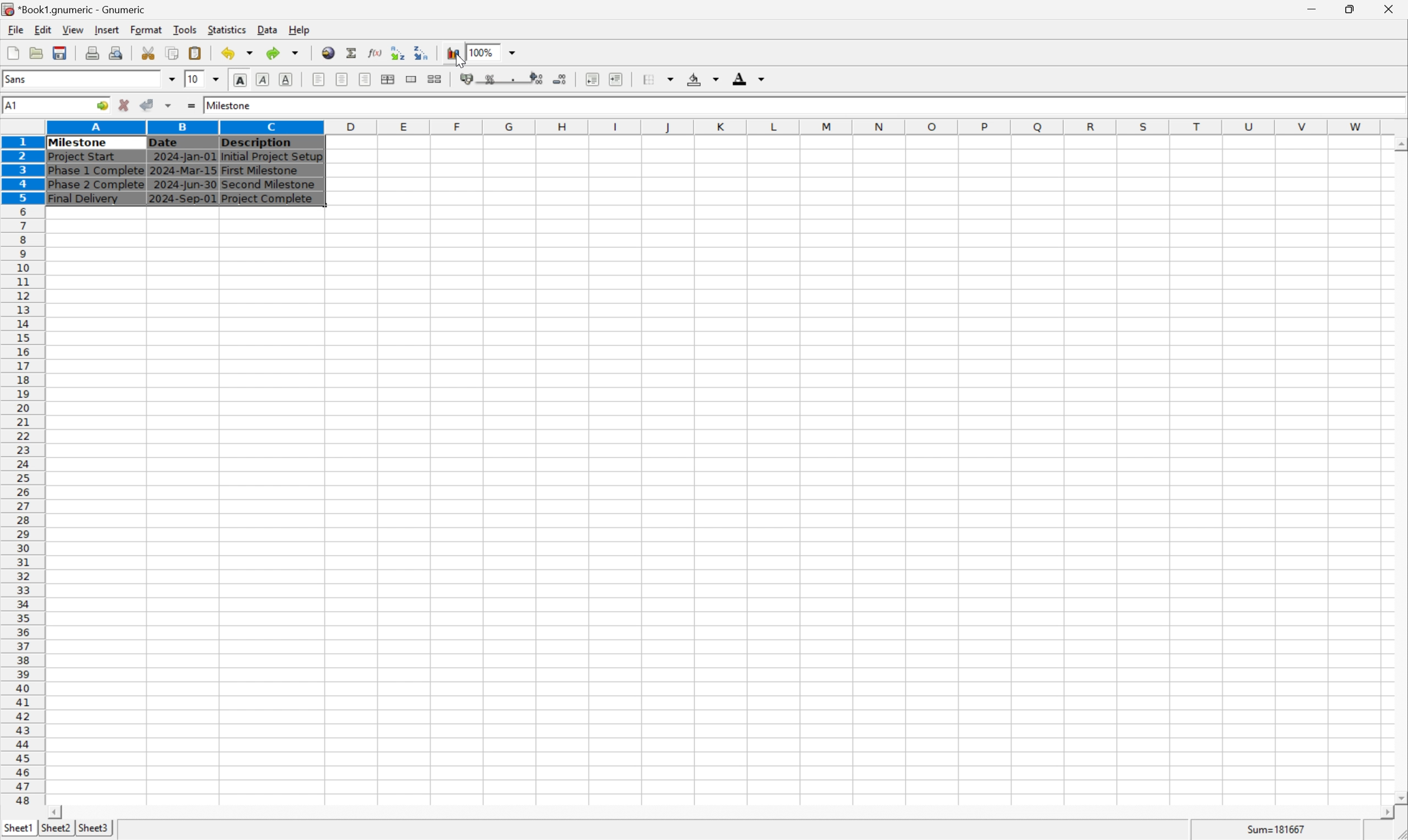 The image size is (1408, 840). What do you see at coordinates (174, 53) in the screenshot?
I see `copy from selection` at bounding box center [174, 53].